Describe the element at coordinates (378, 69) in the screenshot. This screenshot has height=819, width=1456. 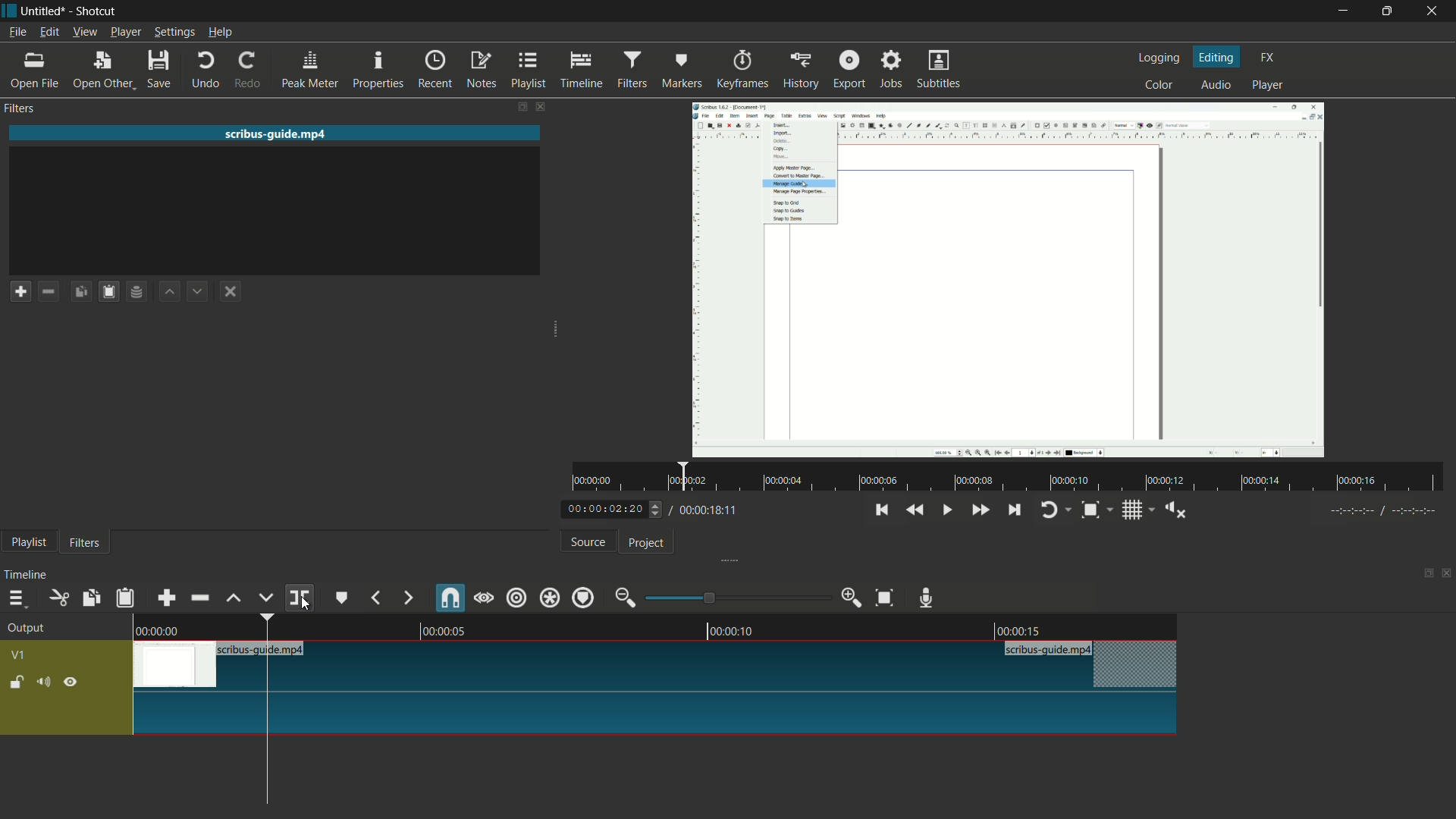
I see `properties` at that location.